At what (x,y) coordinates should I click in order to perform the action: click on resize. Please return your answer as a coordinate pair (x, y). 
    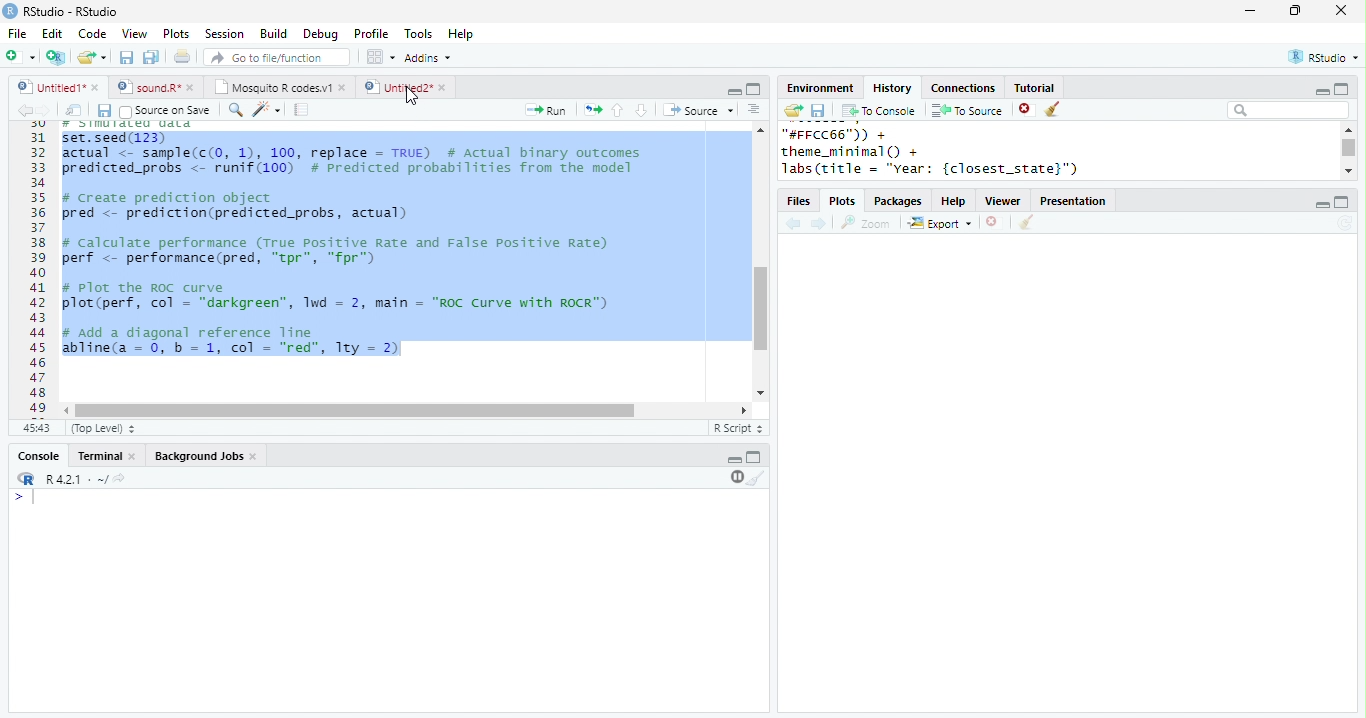
    Looking at the image, I should click on (1295, 11).